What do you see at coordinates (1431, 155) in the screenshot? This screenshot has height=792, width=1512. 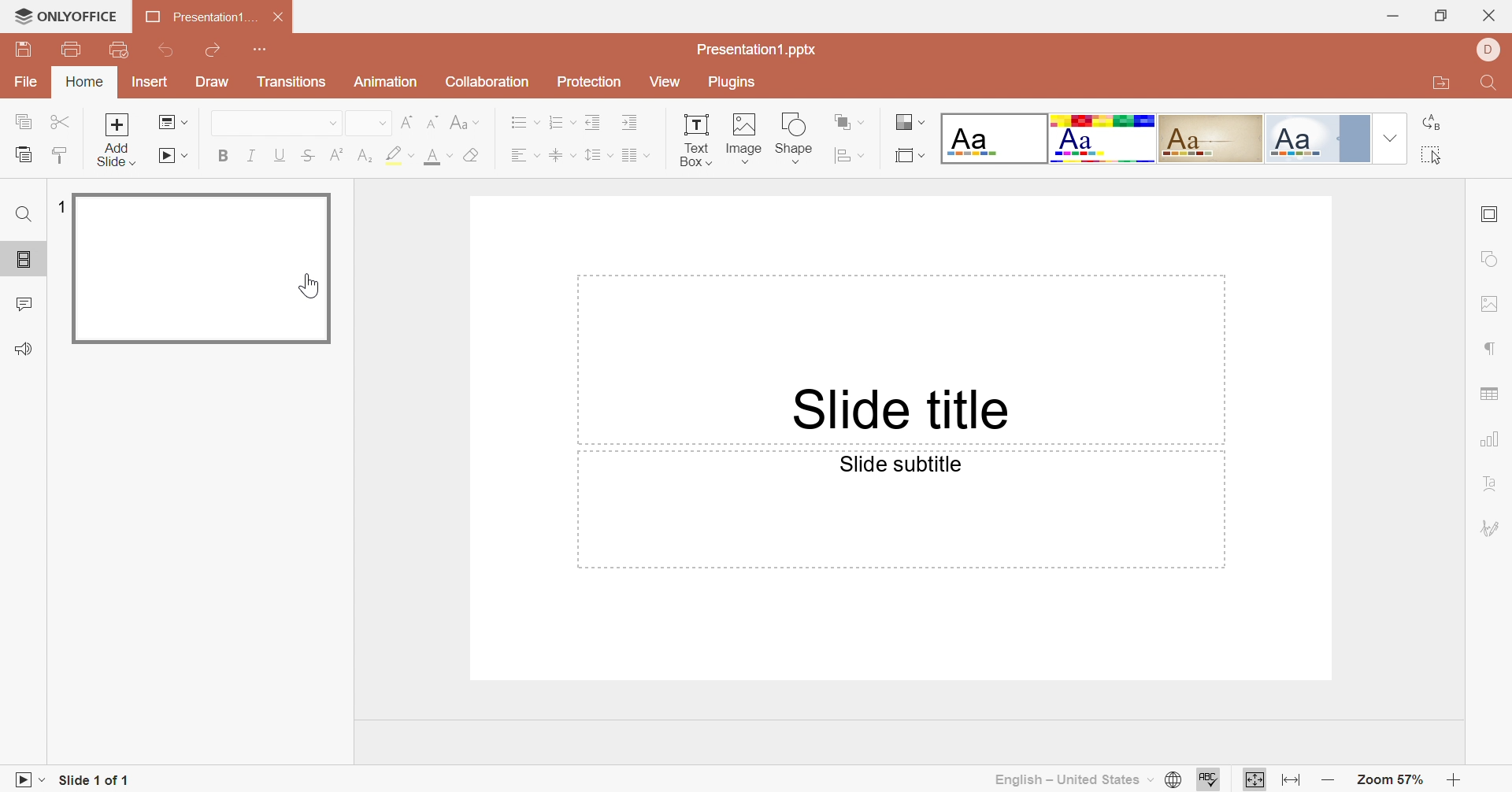 I see `Select all` at bounding box center [1431, 155].